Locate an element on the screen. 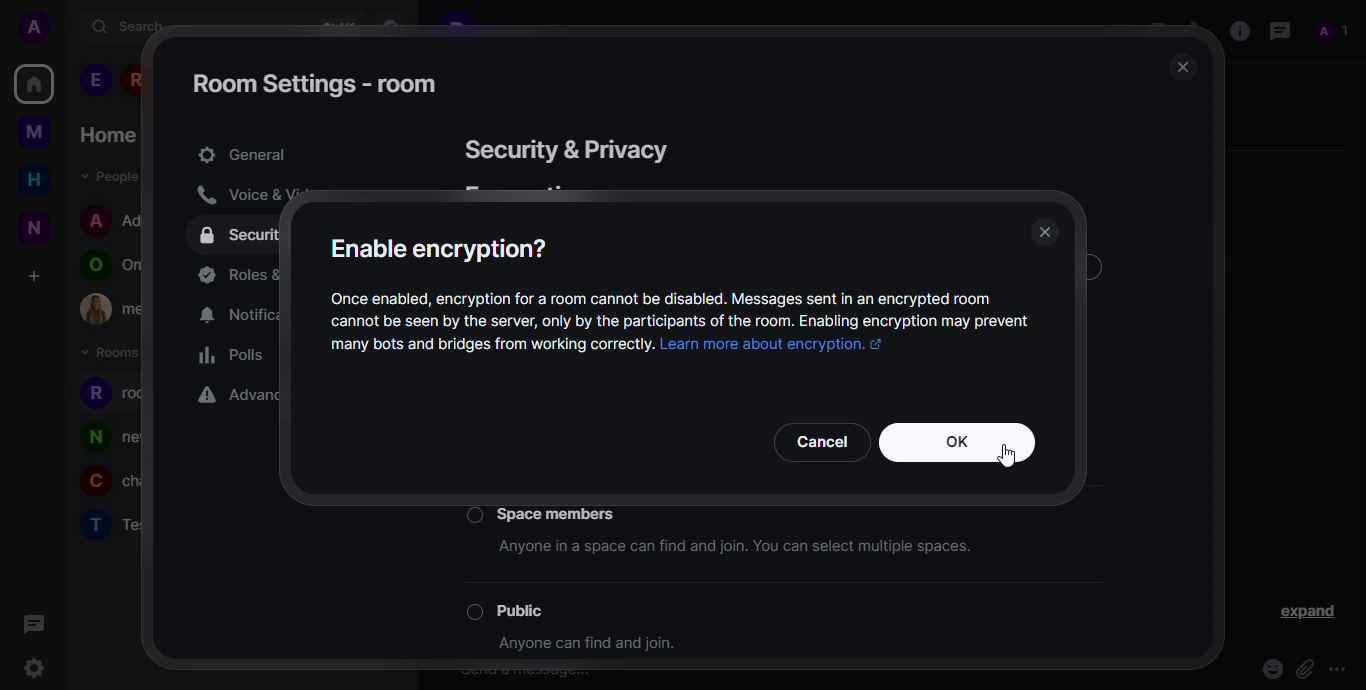 This screenshot has width=1366, height=690. new is located at coordinates (34, 227).